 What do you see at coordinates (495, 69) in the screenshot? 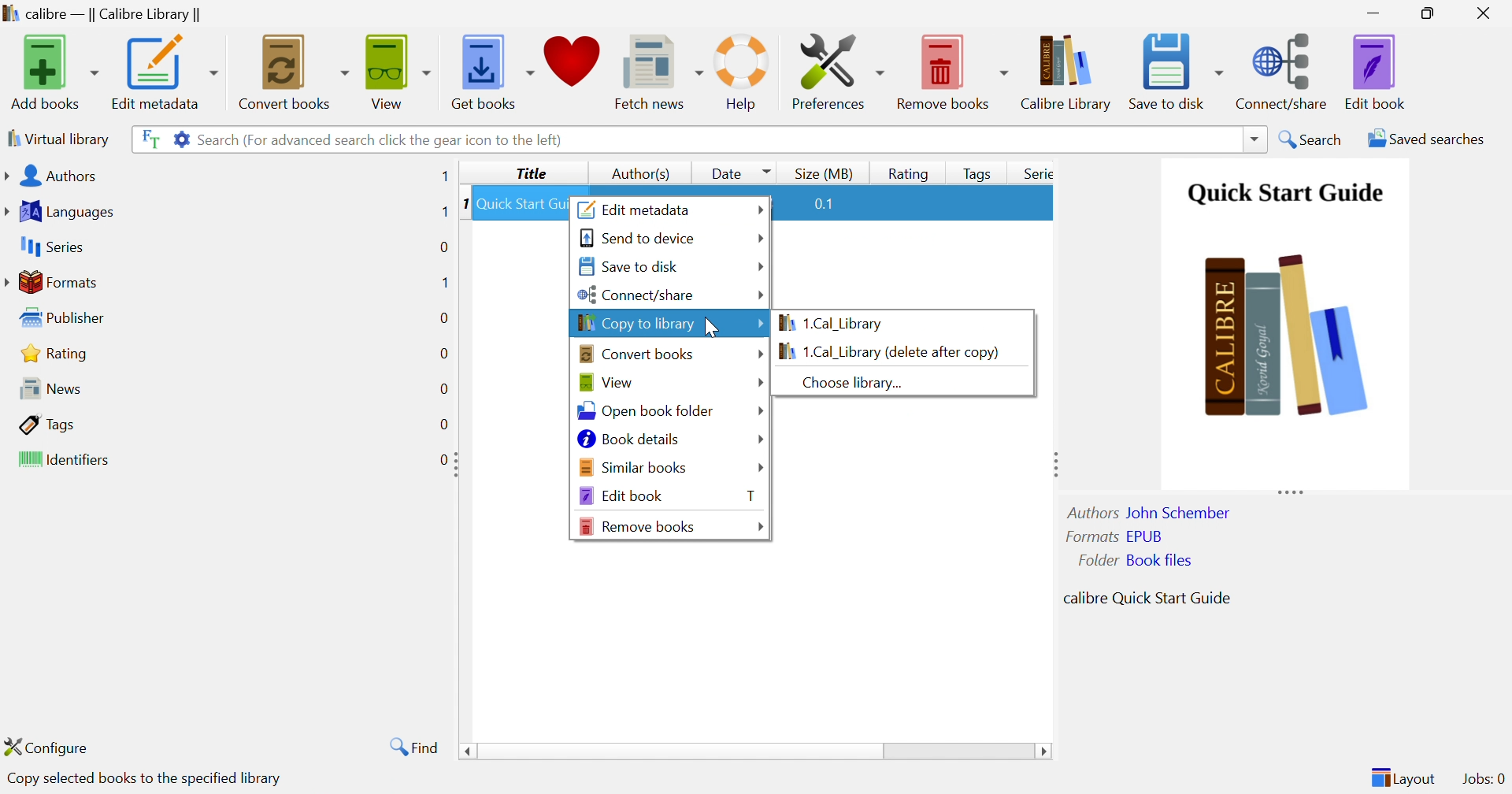
I see `Get books` at bounding box center [495, 69].